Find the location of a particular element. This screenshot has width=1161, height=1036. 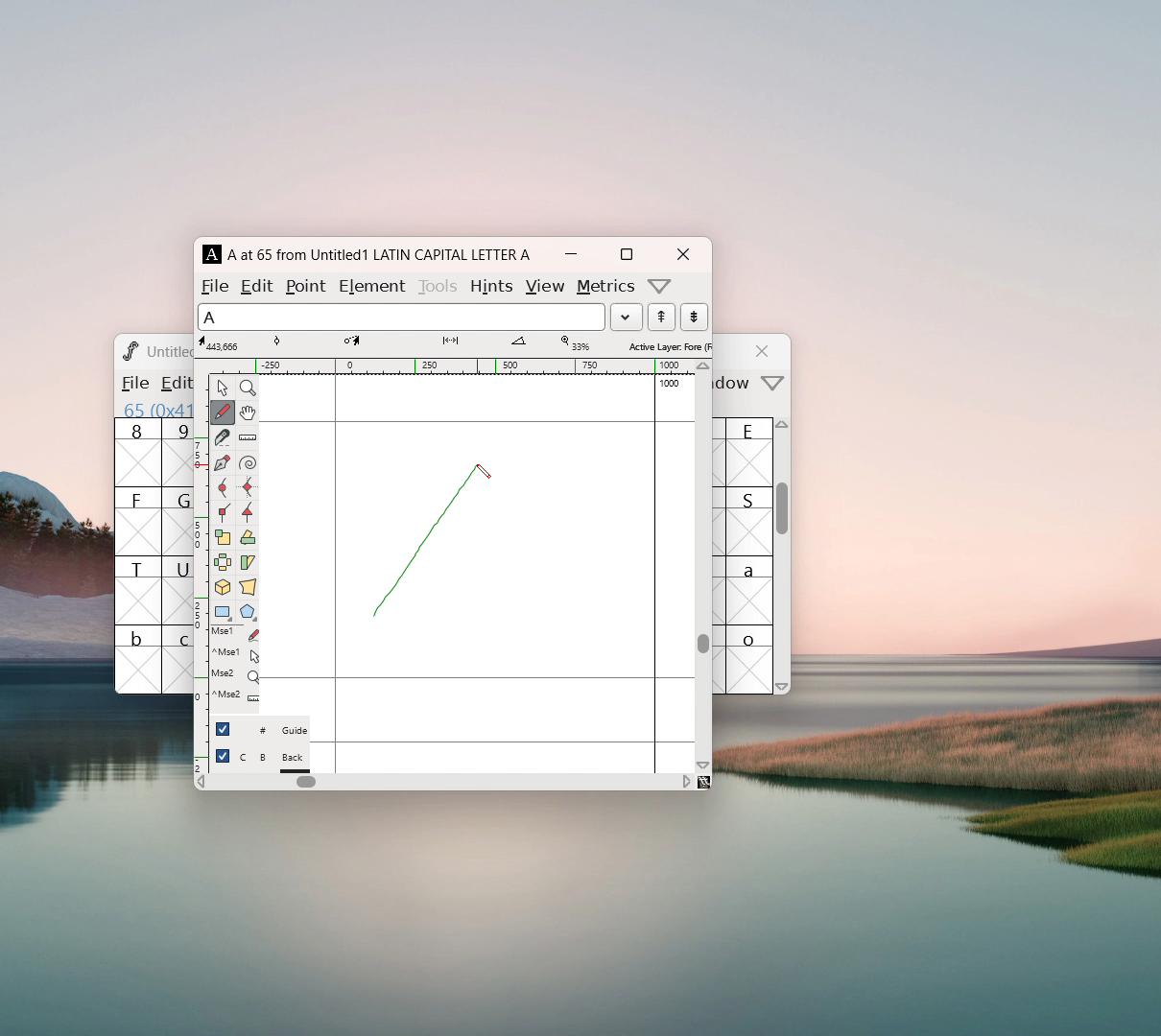

rotate the selection to 3D and project back to plane is located at coordinates (223, 589).